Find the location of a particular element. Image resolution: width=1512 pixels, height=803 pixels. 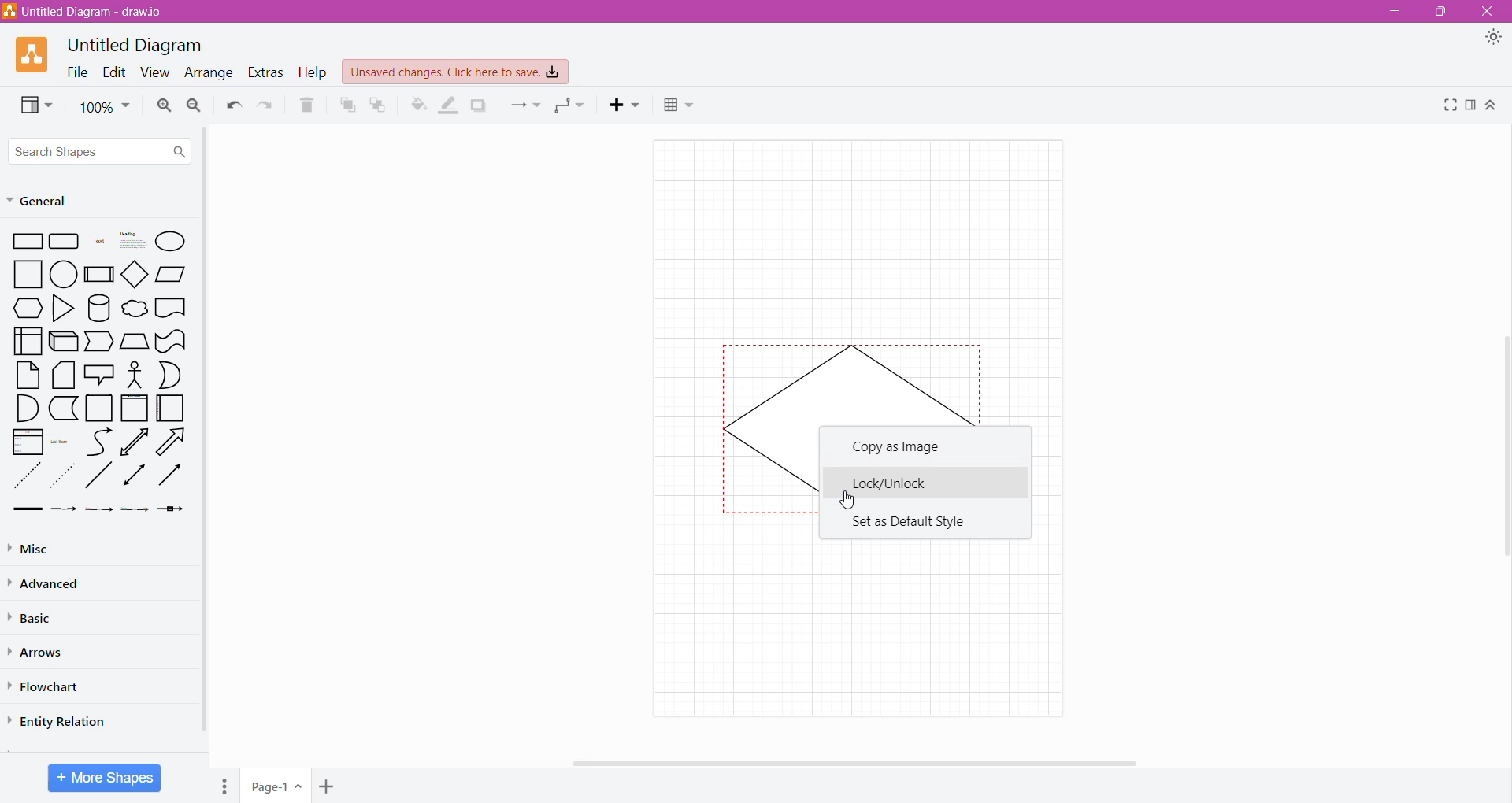

Actor is located at coordinates (133, 376).